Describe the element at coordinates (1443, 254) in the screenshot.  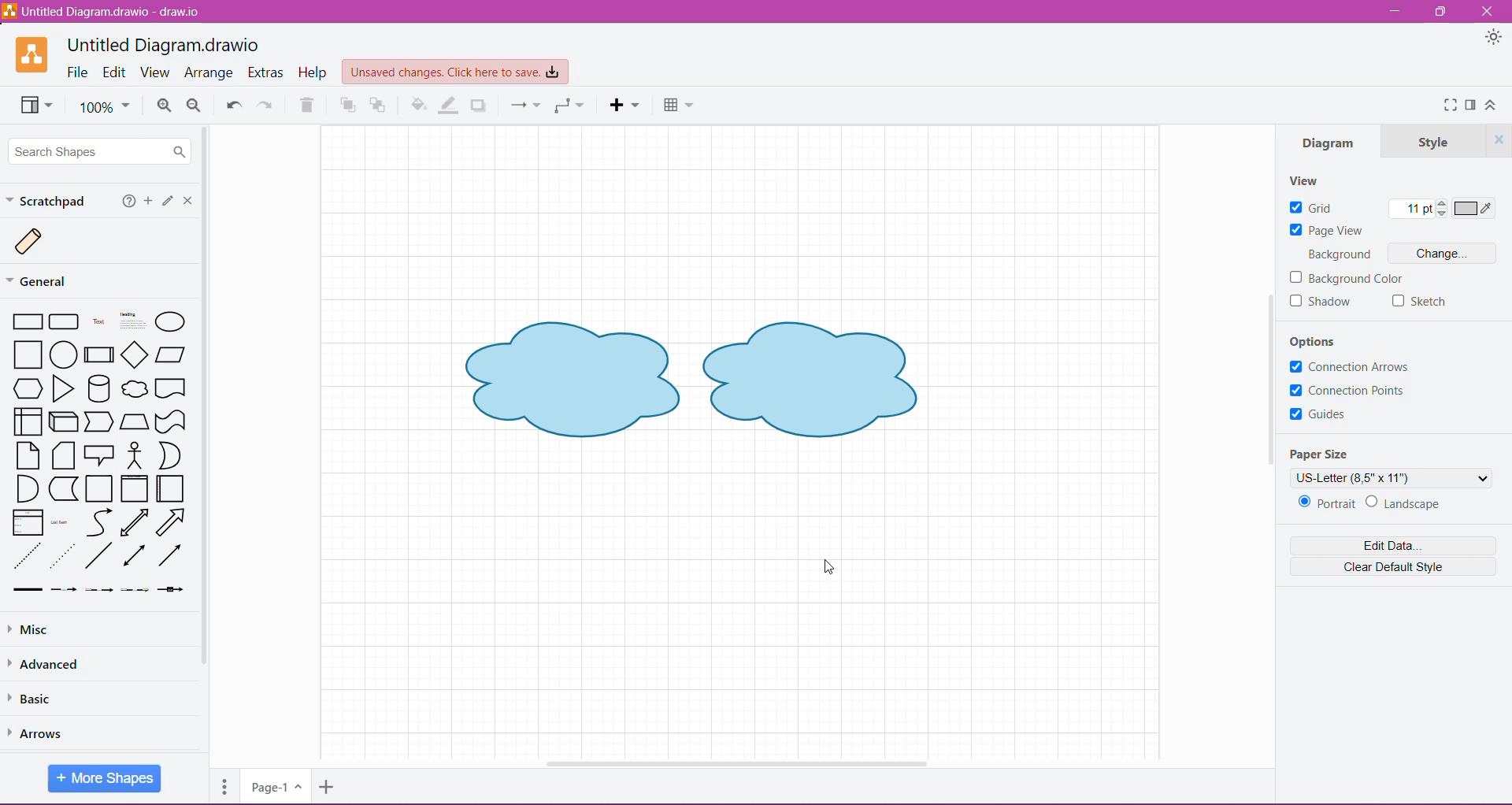
I see `Change` at that location.